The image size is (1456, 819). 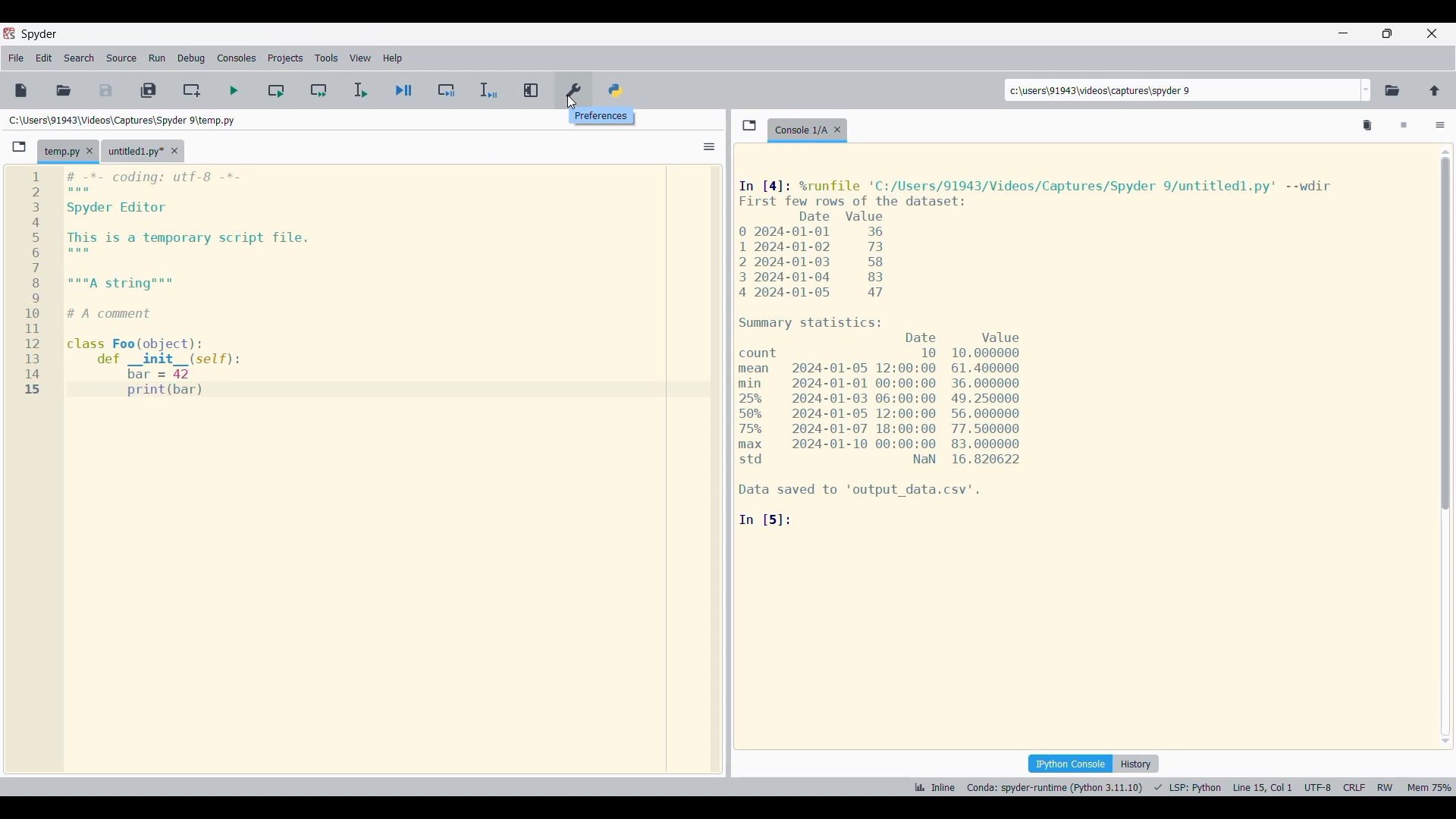 What do you see at coordinates (1181, 786) in the screenshot?
I see `Details of current code` at bounding box center [1181, 786].